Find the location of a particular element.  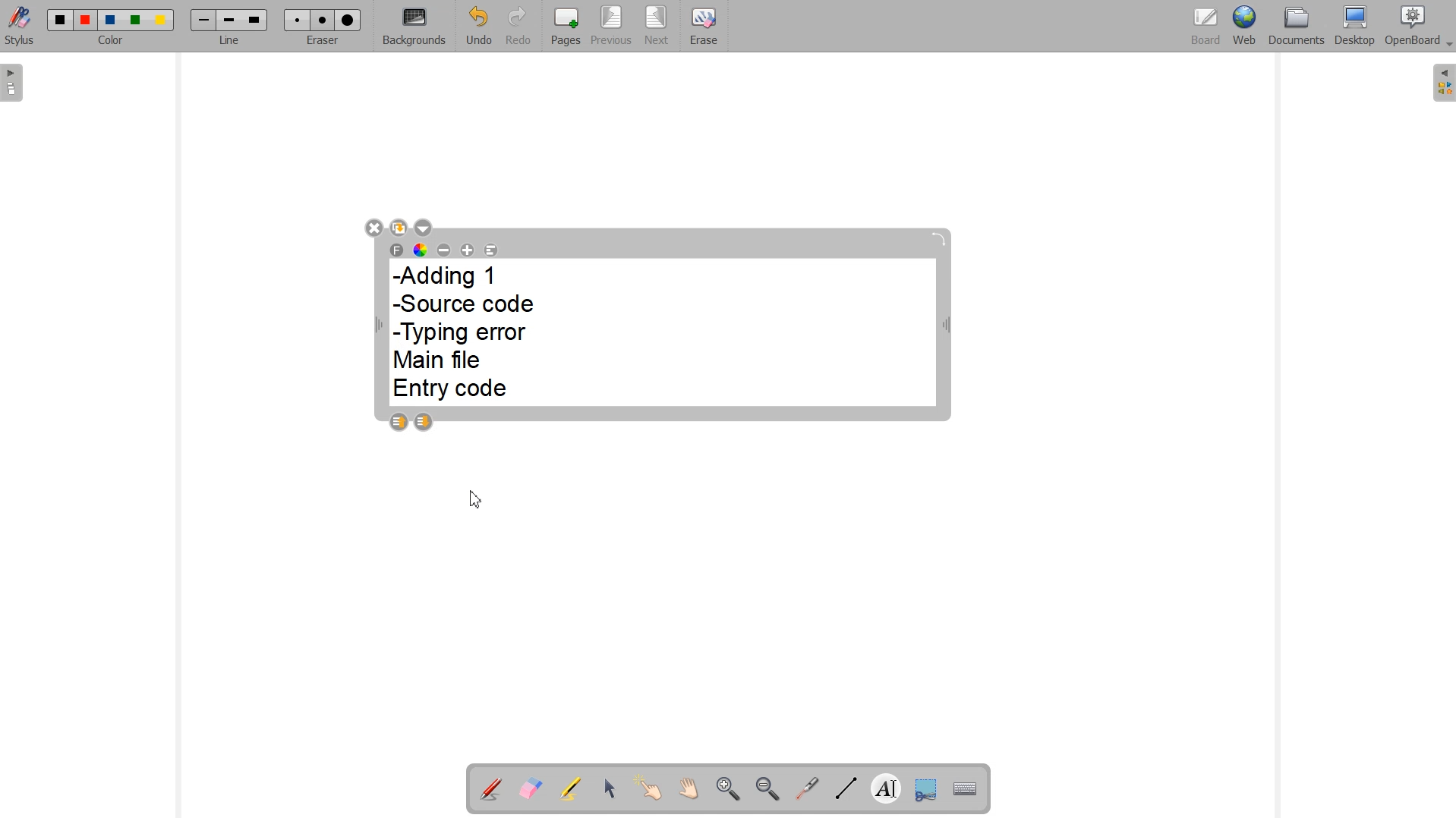

Medium line is located at coordinates (230, 20).